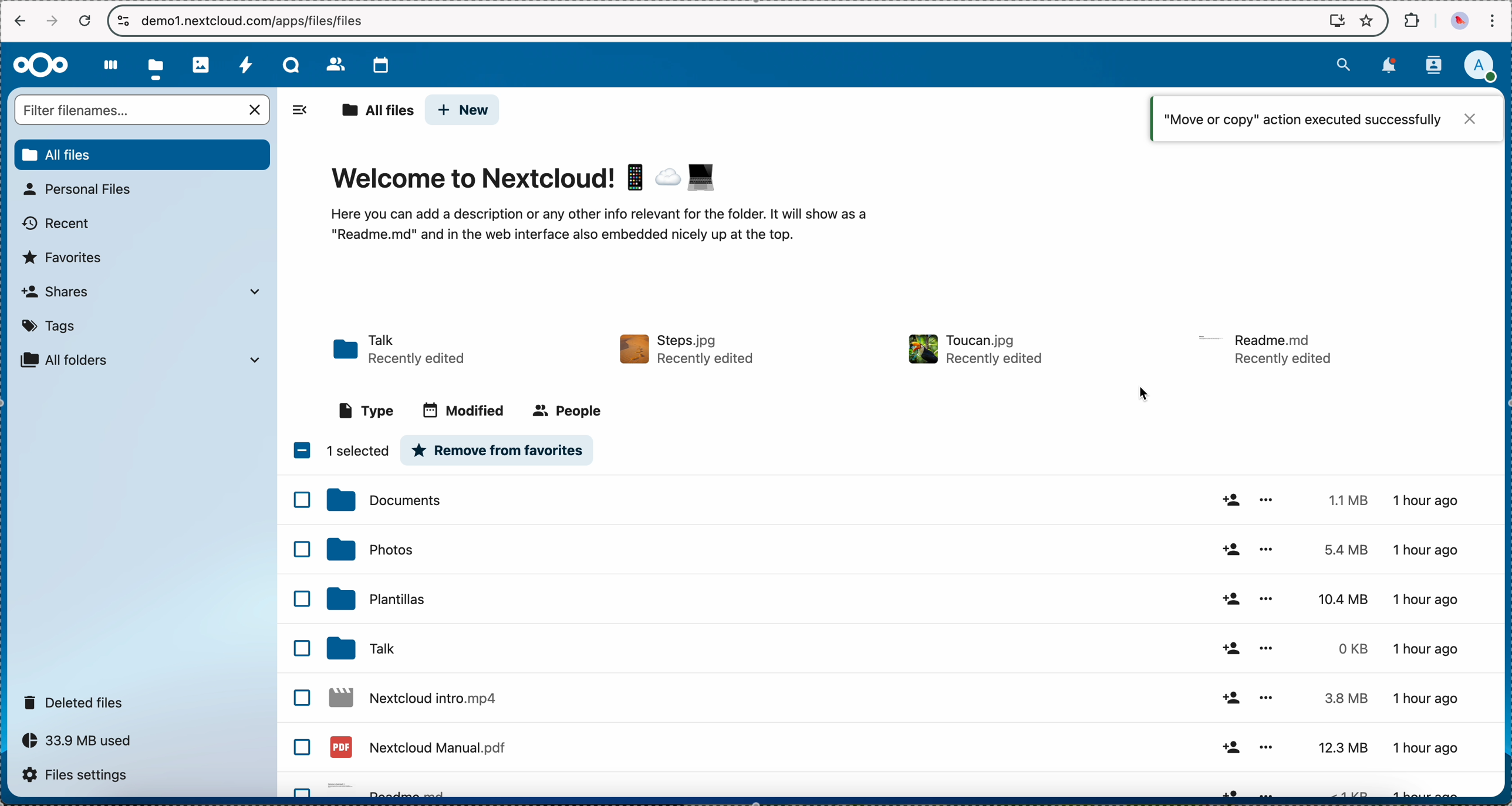 Image resolution: width=1512 pixels, height=806 pixels. Describe the element at coordinates (1412, 21) in the screenshot. I see `extensions` at that location.